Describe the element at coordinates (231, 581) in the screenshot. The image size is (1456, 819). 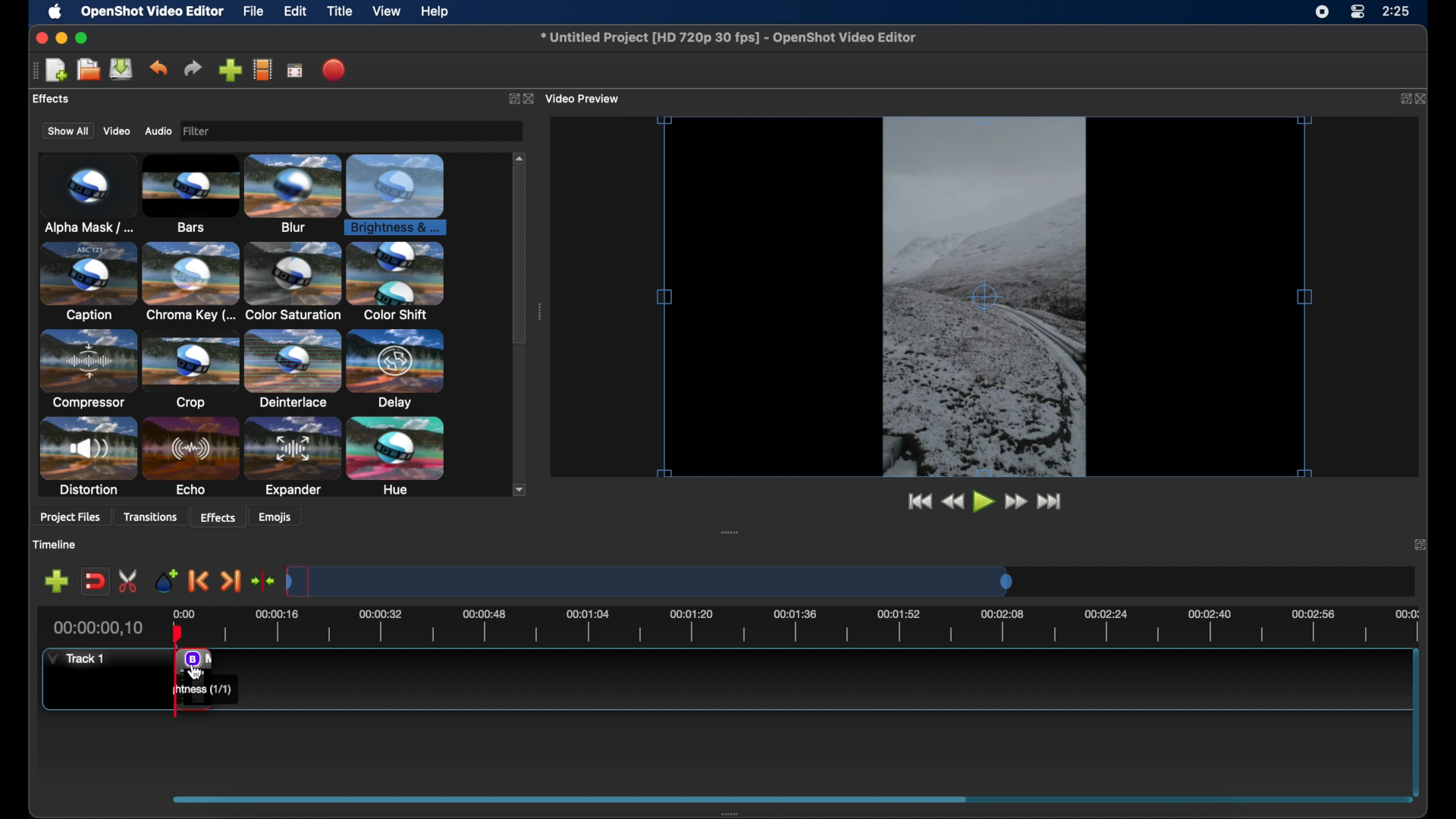
I see `next marker` at that location.